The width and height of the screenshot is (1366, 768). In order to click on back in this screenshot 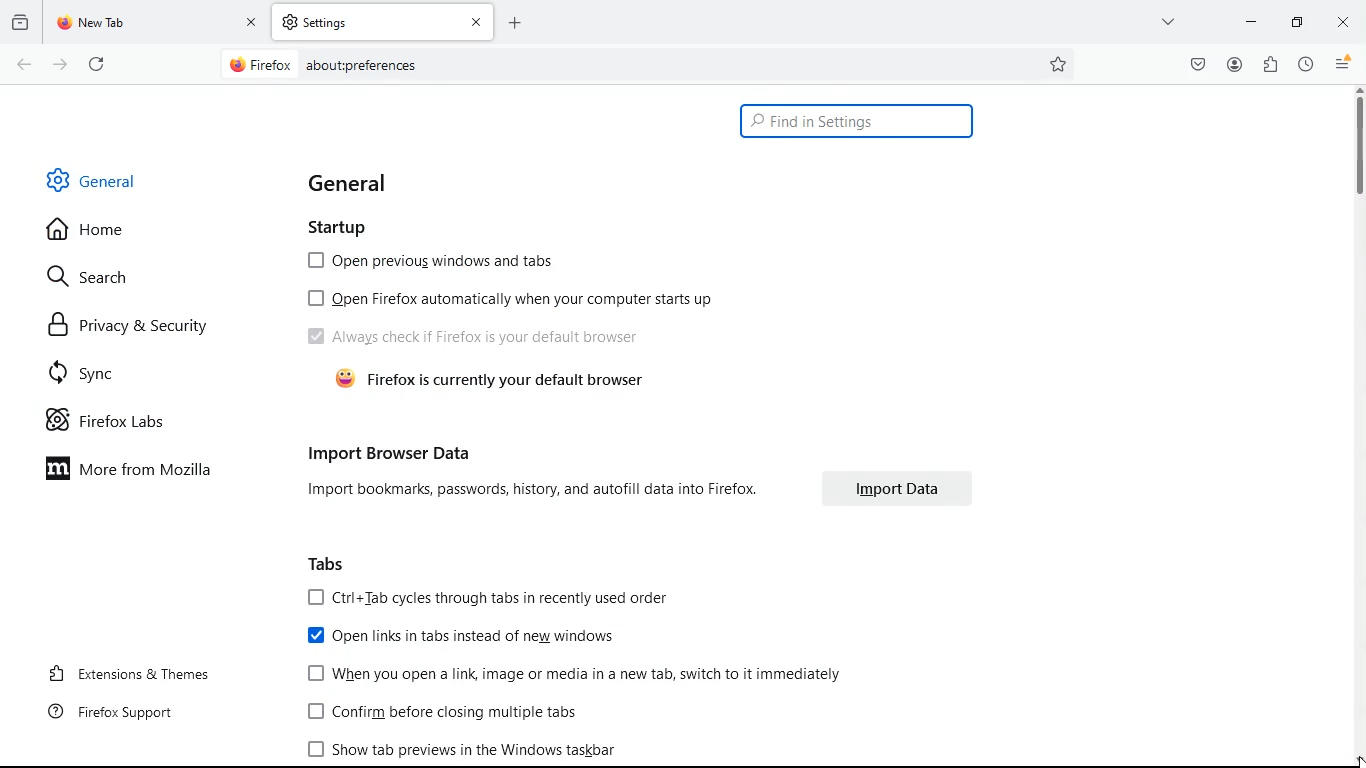, I will do `click(22, 65)`.